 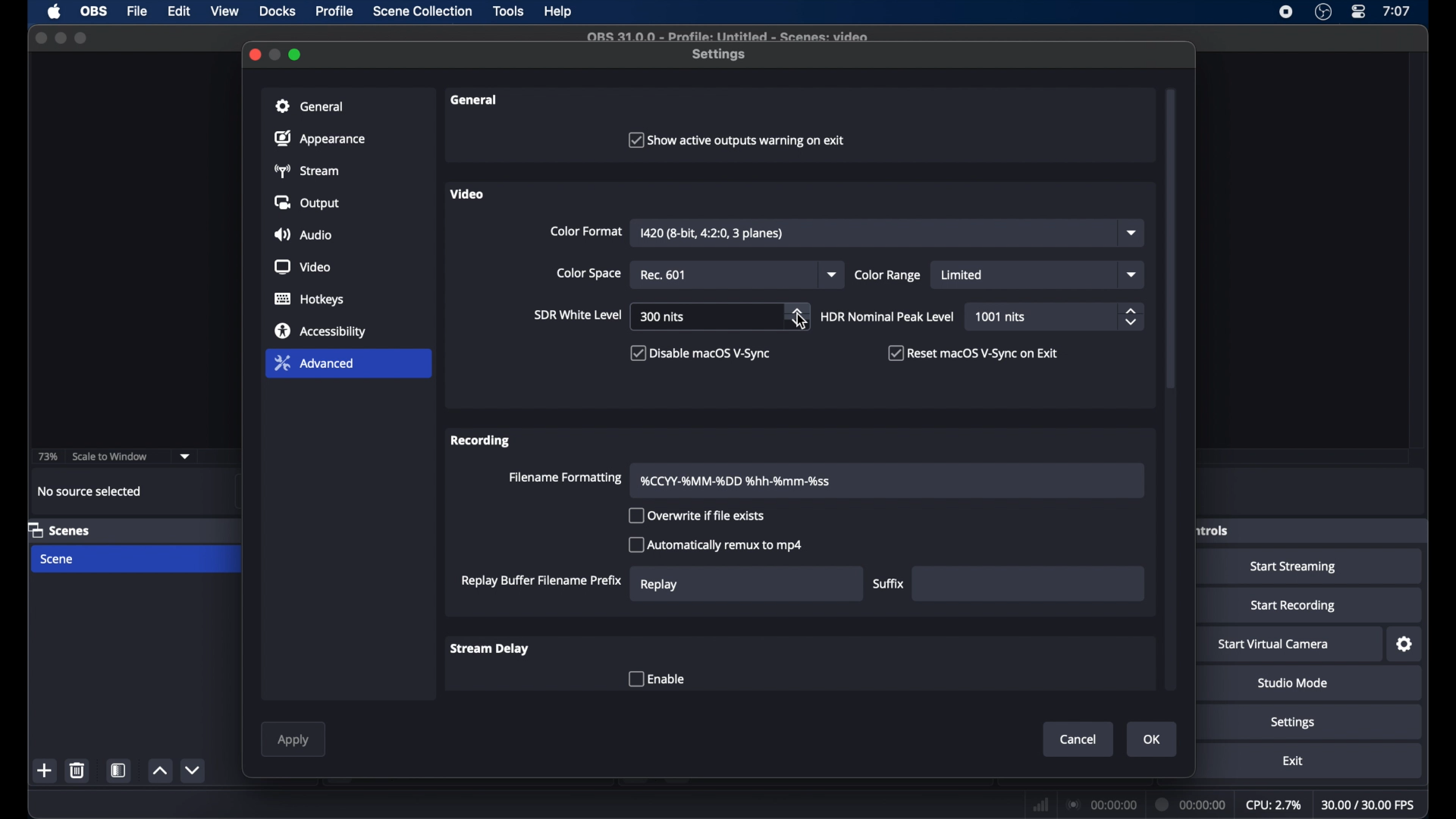 What do you see at coordinates (311, 107) in the screenshot?
I see `general` at bounding box center [311, 107].